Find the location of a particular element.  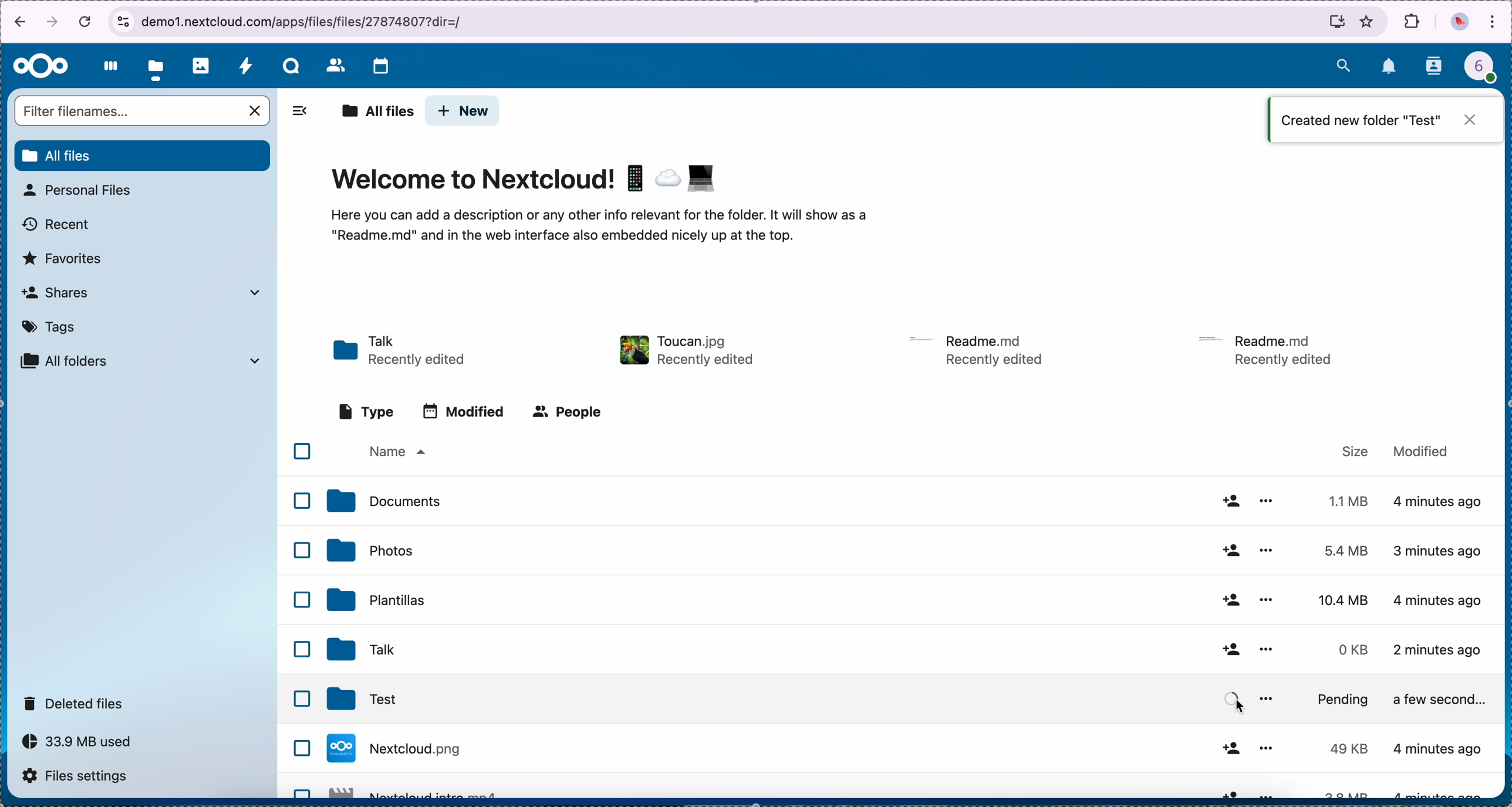

more options is located at coordinates (1268, 650).